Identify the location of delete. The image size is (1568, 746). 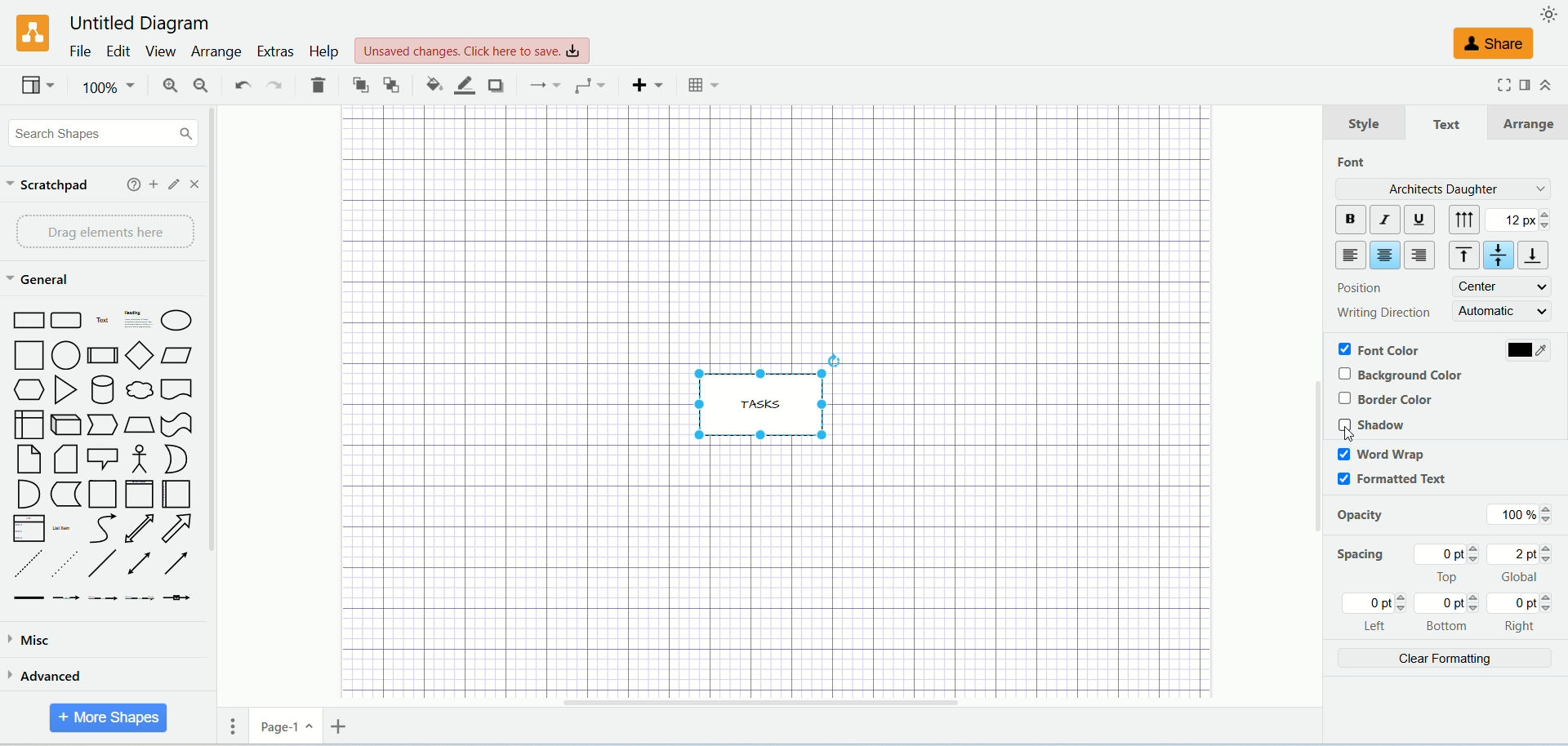
(318, 84).